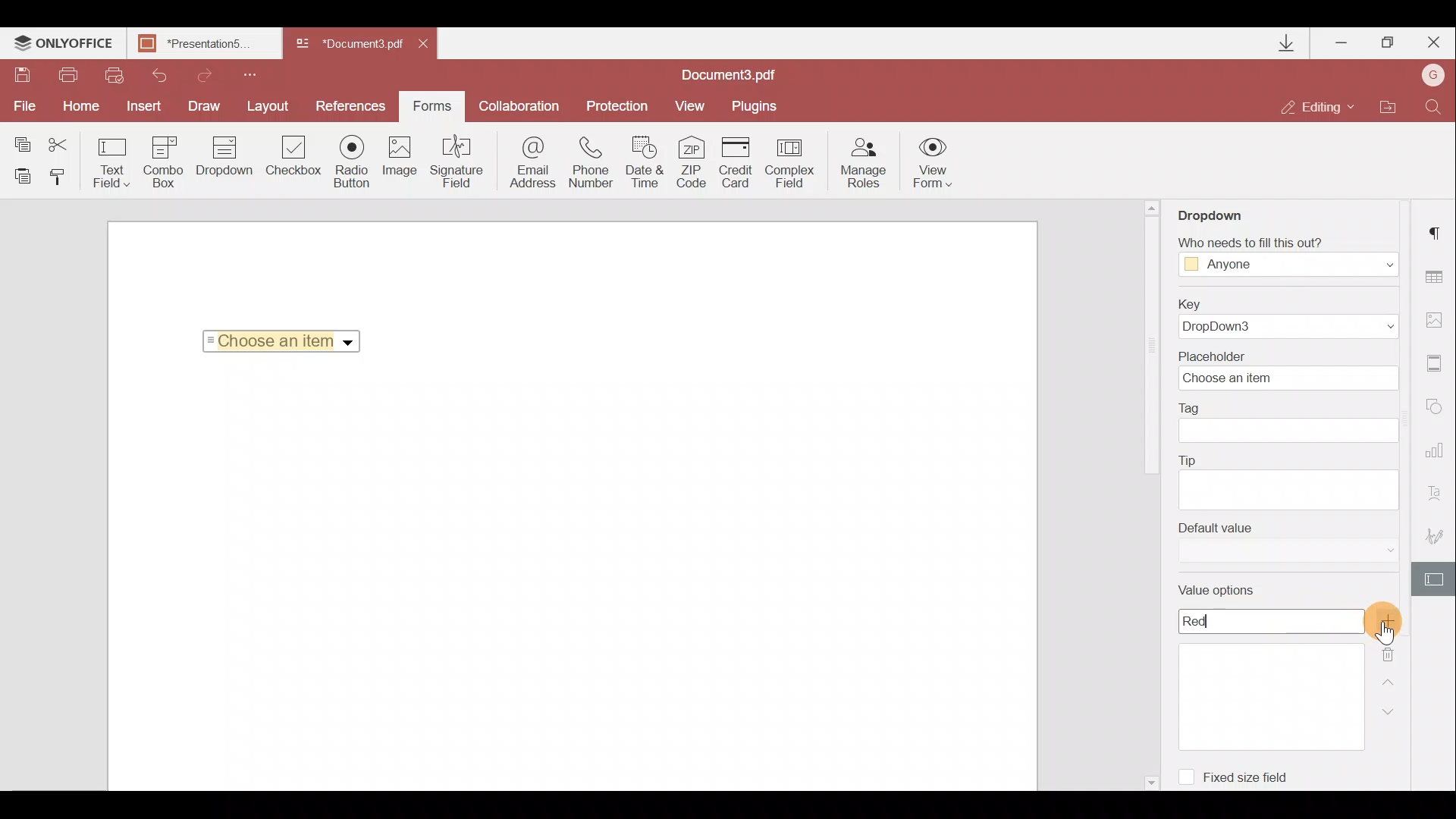 The width and height of the screenshot is (1456, 819). I want to click on Fill Access, so click(1285, 257).